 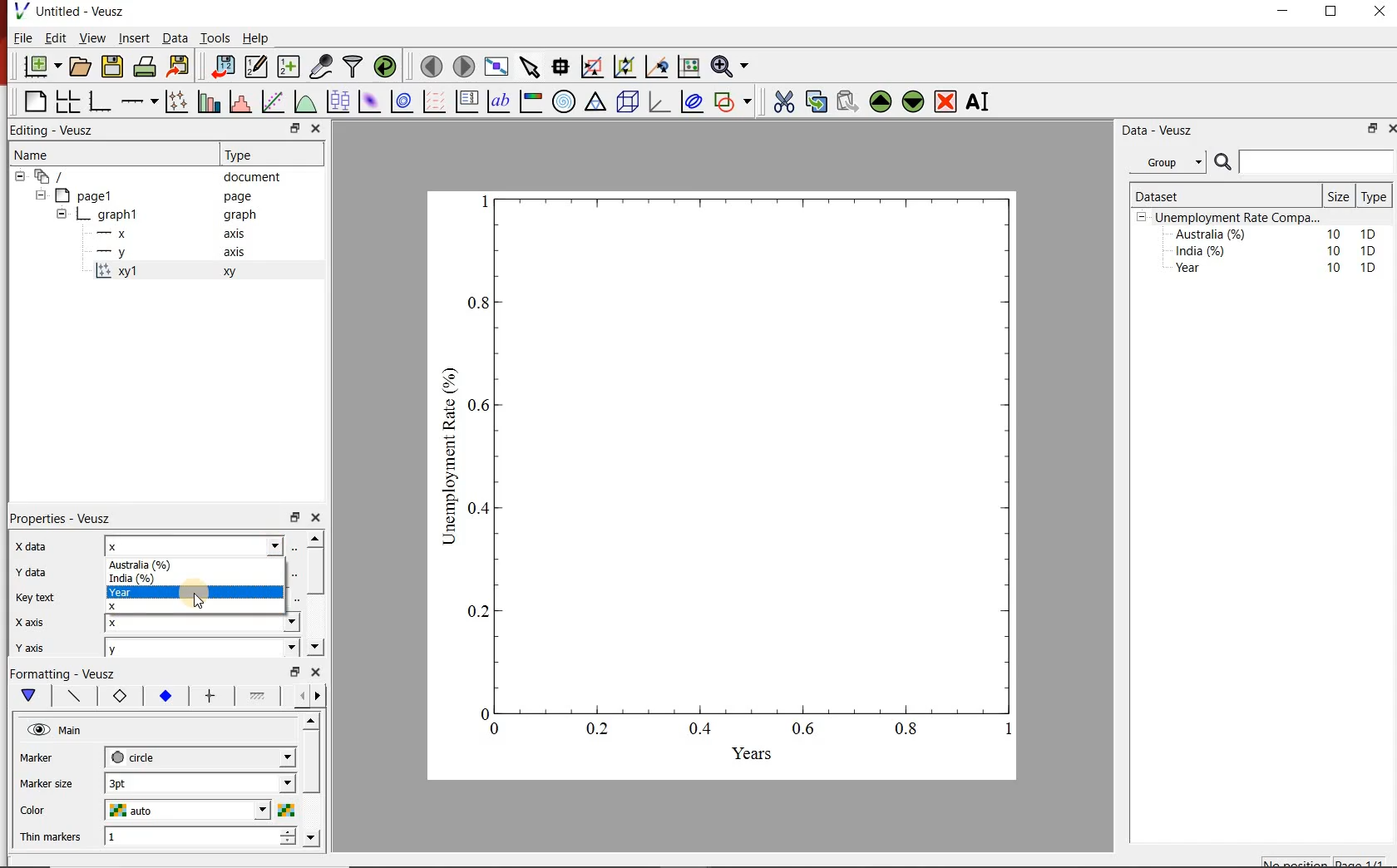 I want to click on Untitled - Veusz, so click(x=68, y=10).